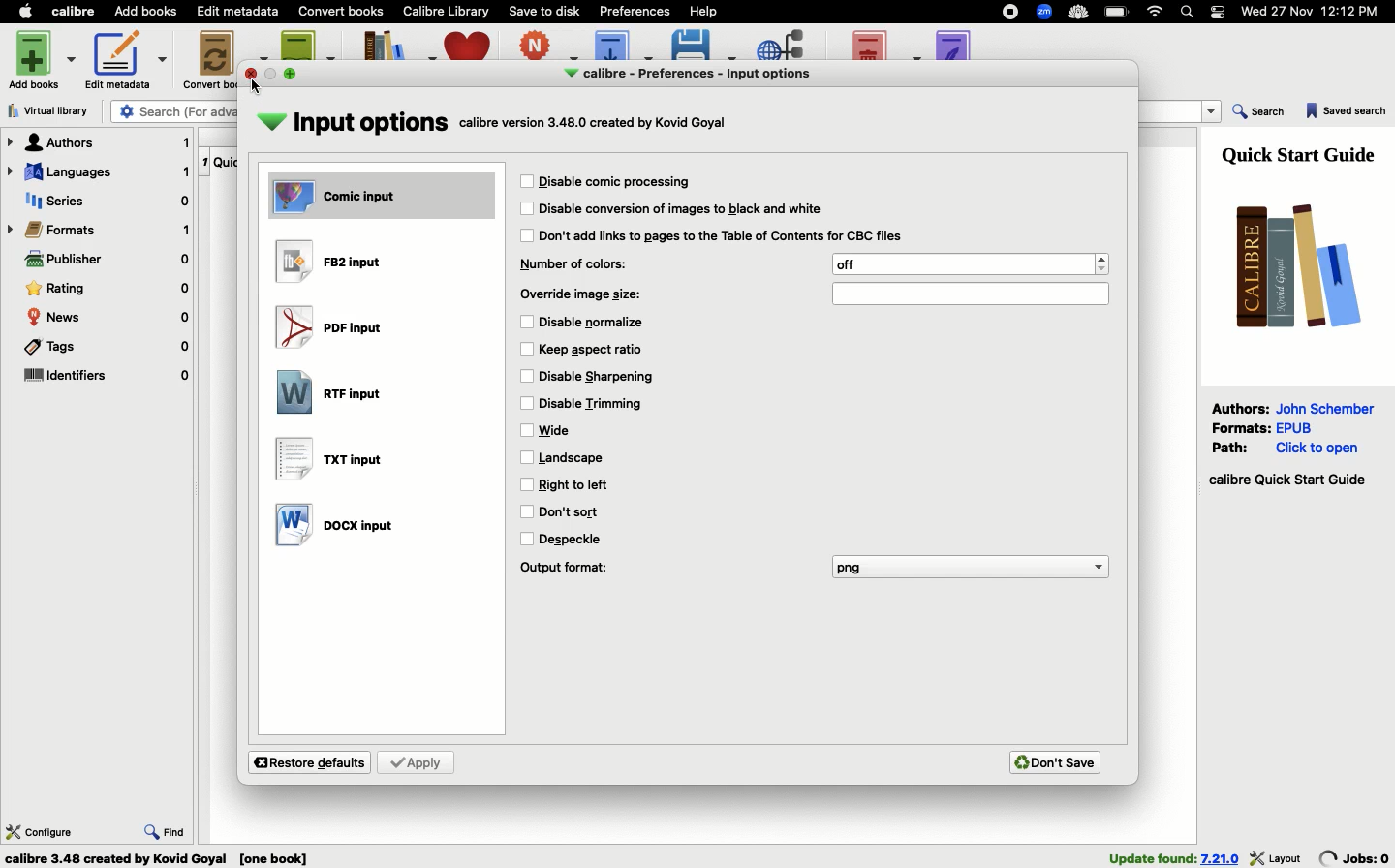  I want to click on Number of colors, so click(579, 264).